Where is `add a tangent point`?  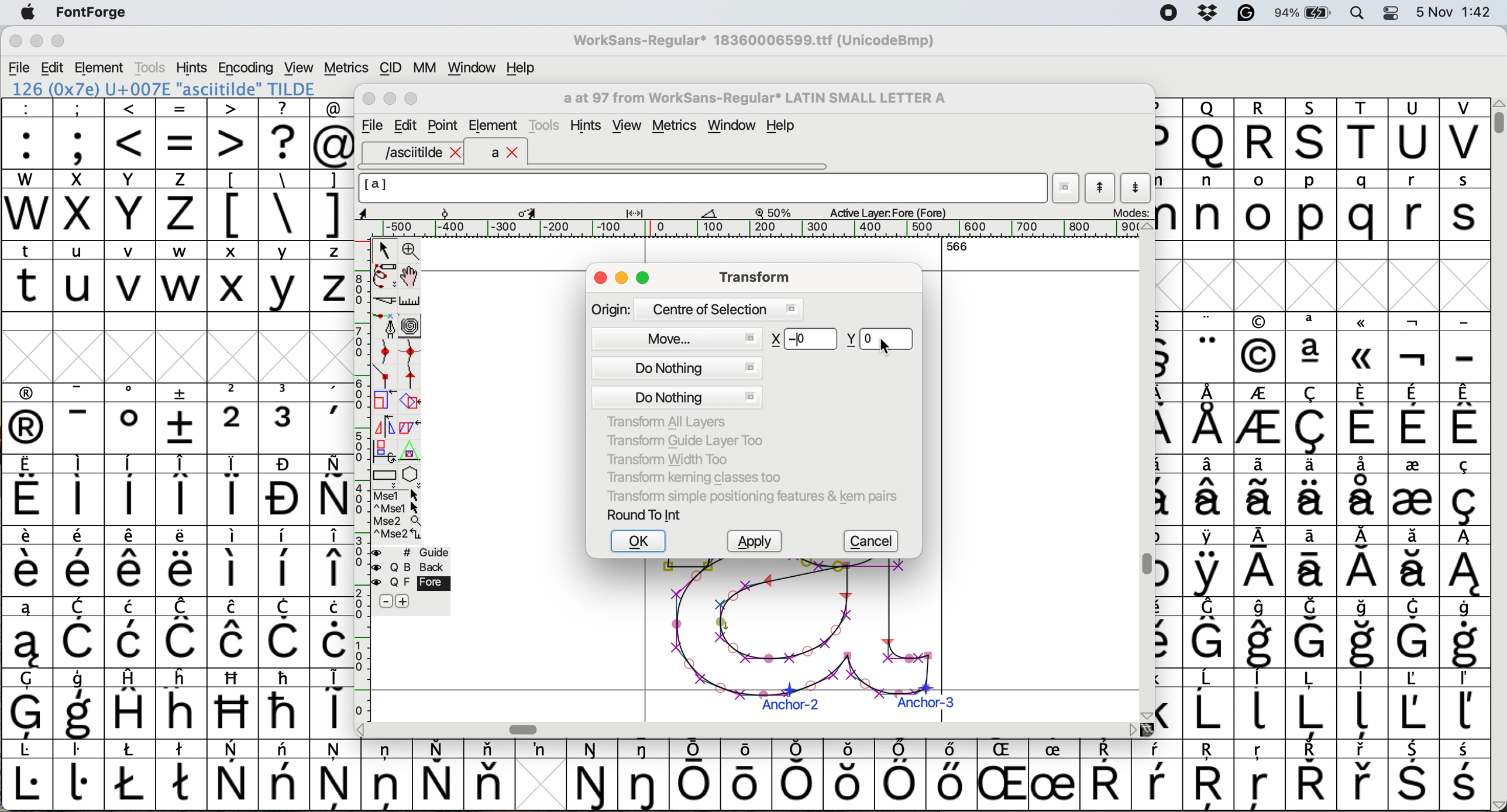
add a tangent point is located at coordinates (413, 376).